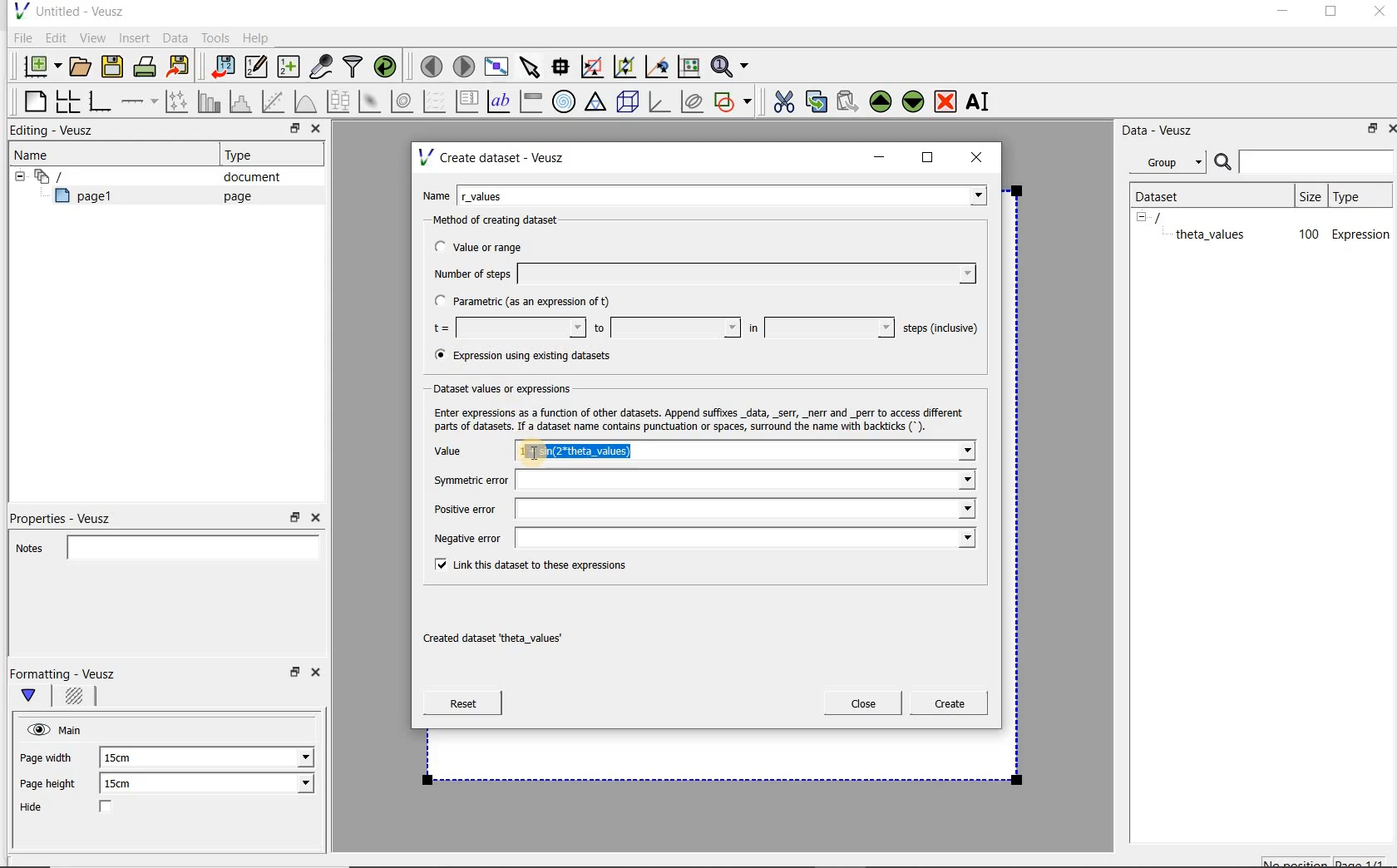 The width and height of the screenshot is (1397, 868). I want to click on hide sub menu, so click(16, 175).